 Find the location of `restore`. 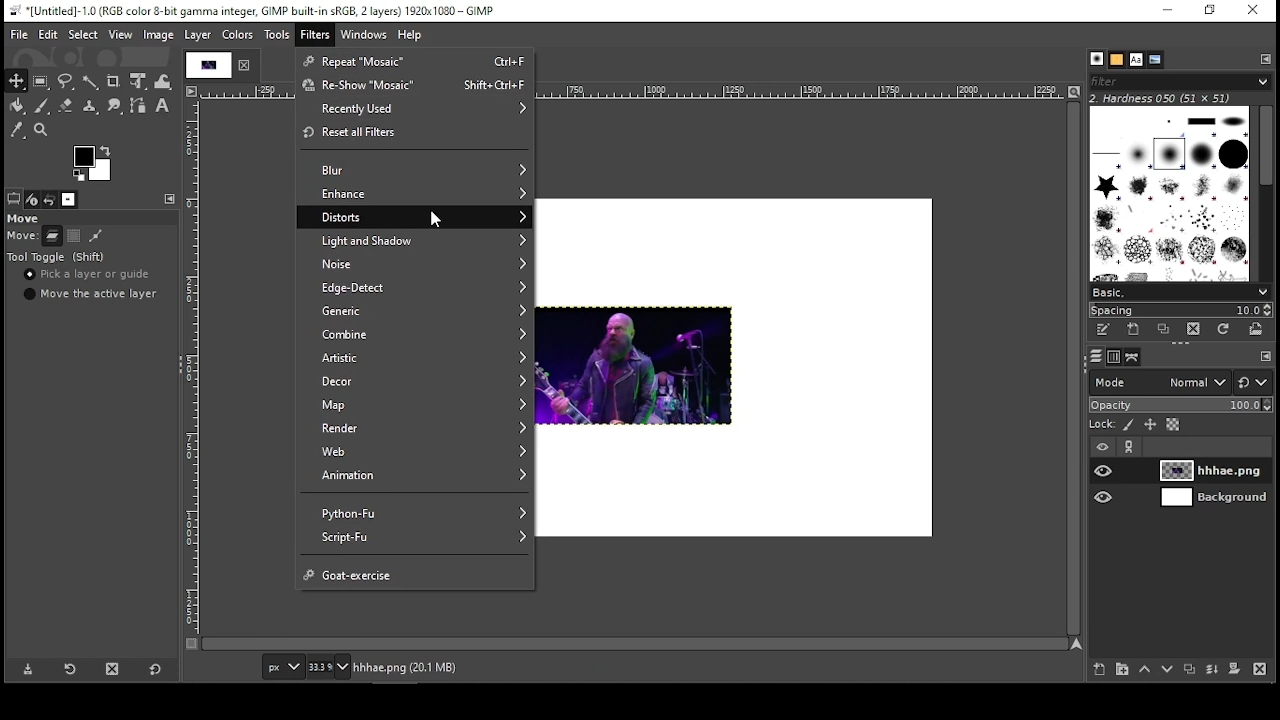

restore is located at coordinates (1211, 10).